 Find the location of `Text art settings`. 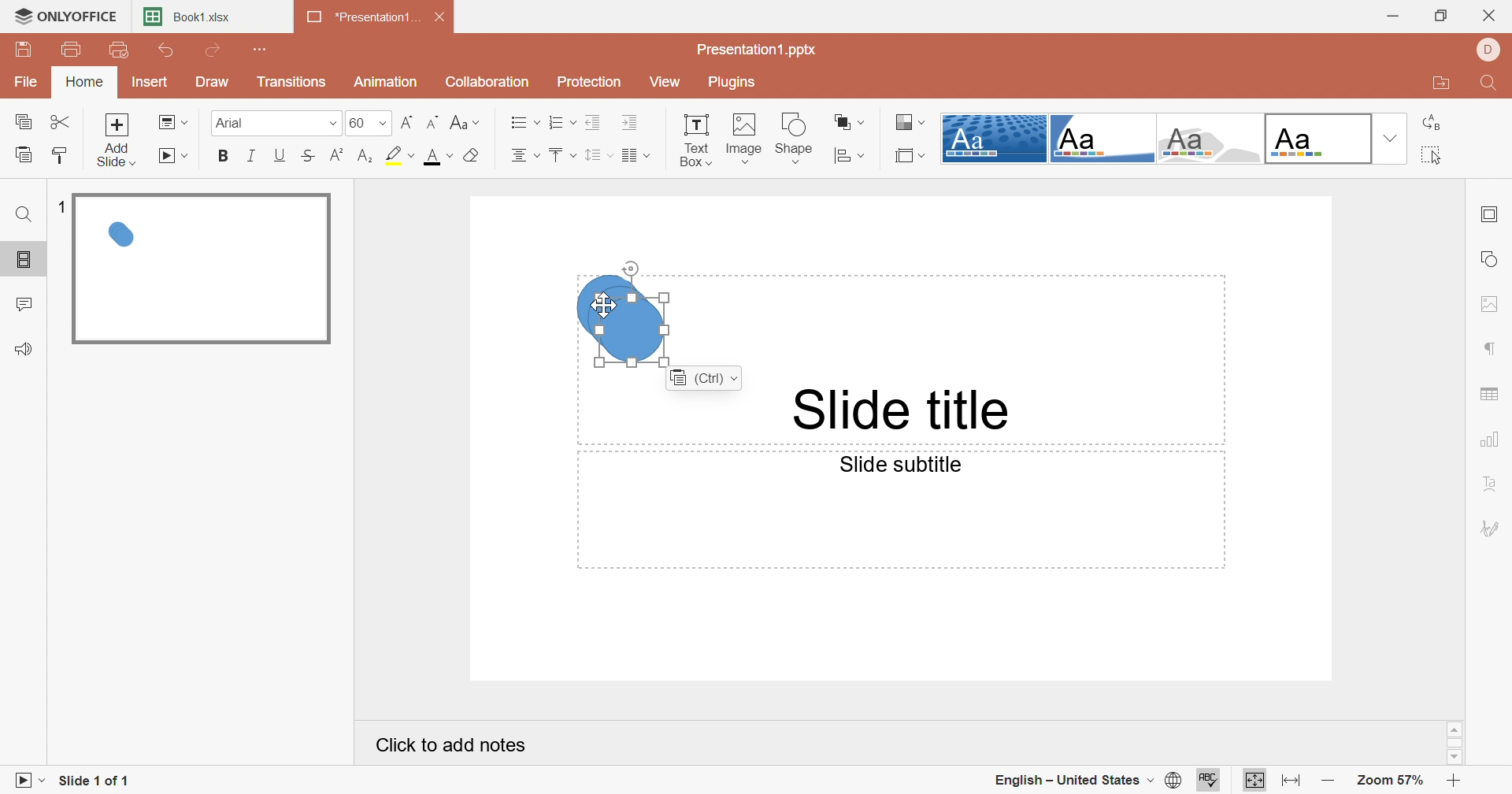

Text art settings is located at coordinates (1497, 487).